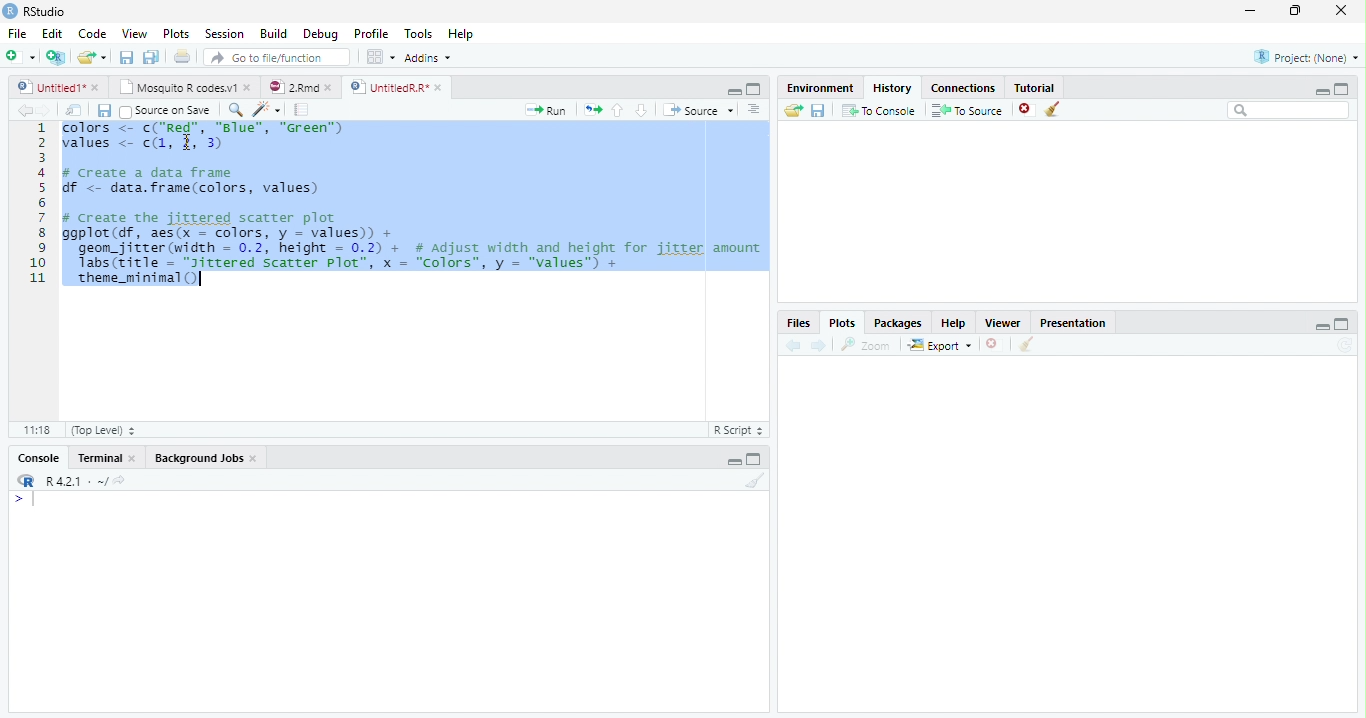 This screenshot has width=1366, height=718. I want to click on UntitledR.R*, so click(388, 88).